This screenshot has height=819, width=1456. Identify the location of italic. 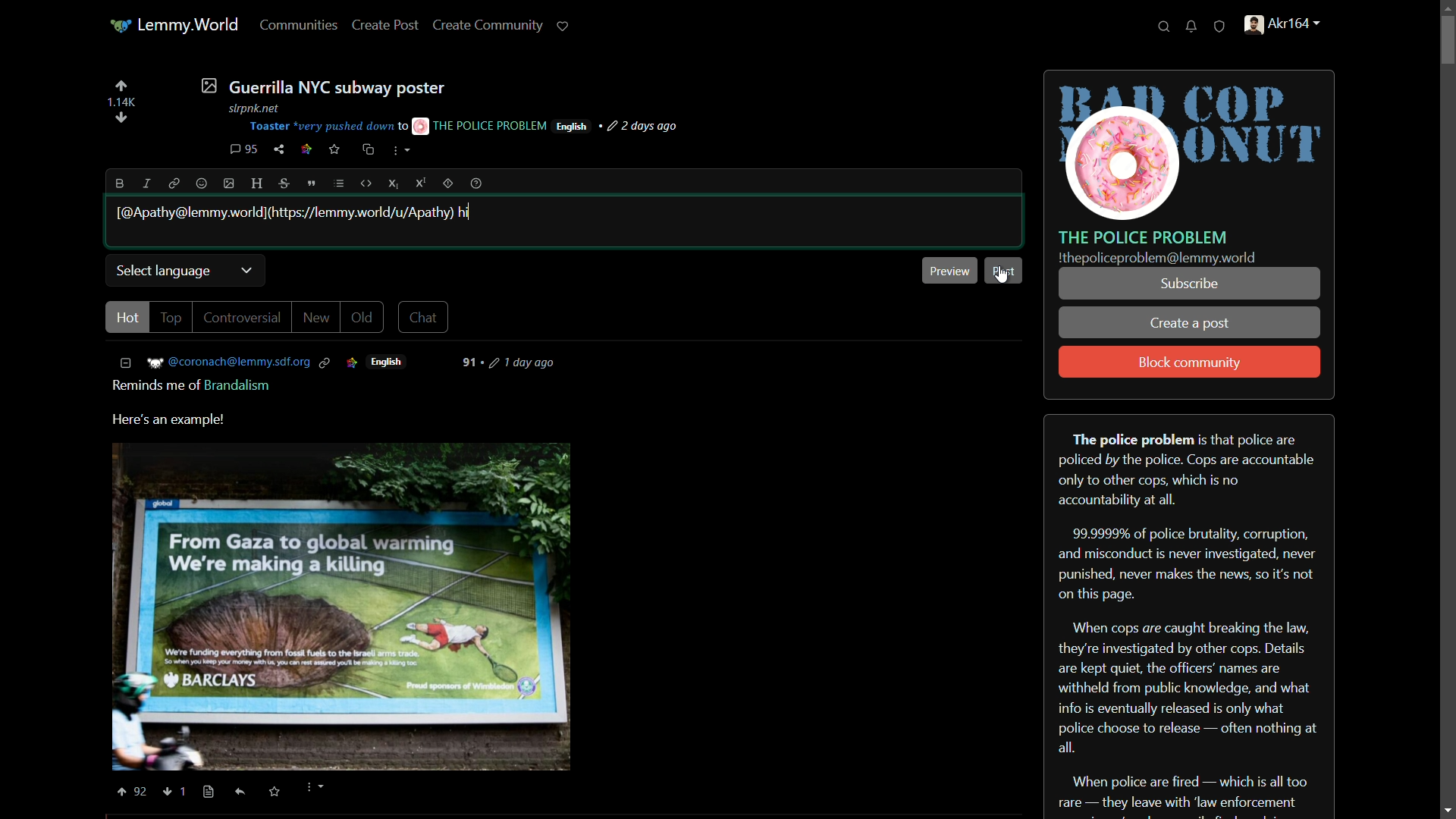
(145, 183).